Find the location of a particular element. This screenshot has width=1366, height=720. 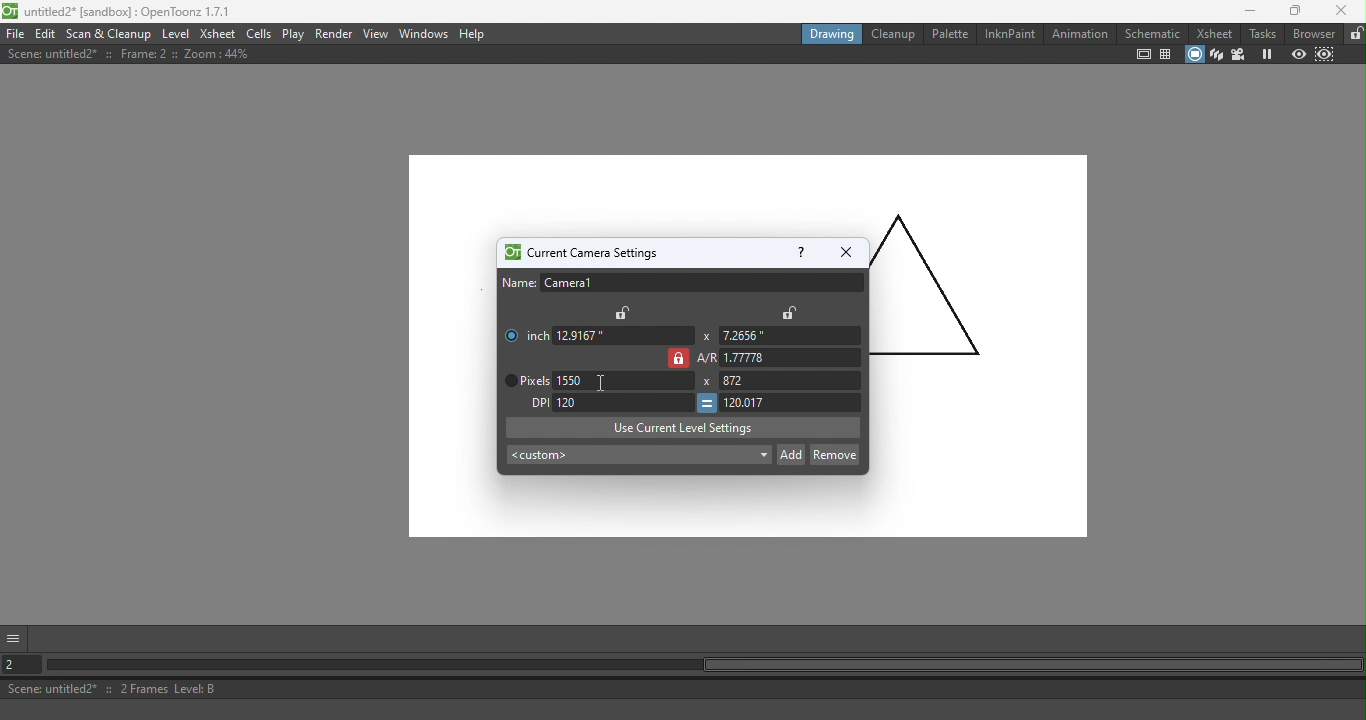

Camera stand view is located at coordinates (1193, 55).